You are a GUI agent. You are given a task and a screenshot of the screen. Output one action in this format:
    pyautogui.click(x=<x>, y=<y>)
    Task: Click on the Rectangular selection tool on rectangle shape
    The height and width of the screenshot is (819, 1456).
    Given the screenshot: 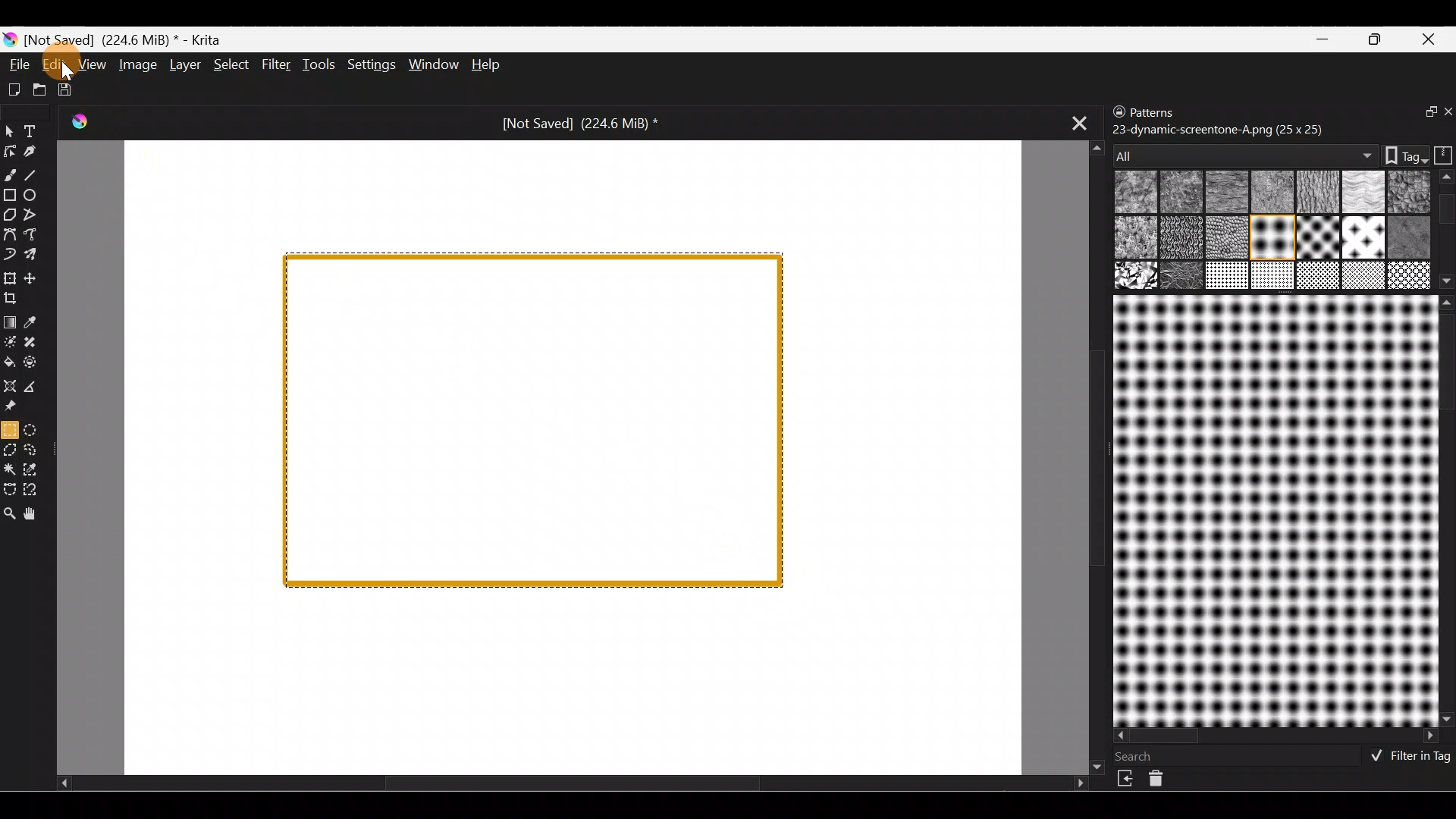 What is the action you would take?
    pyautogui.click(x=538, y=422)
    